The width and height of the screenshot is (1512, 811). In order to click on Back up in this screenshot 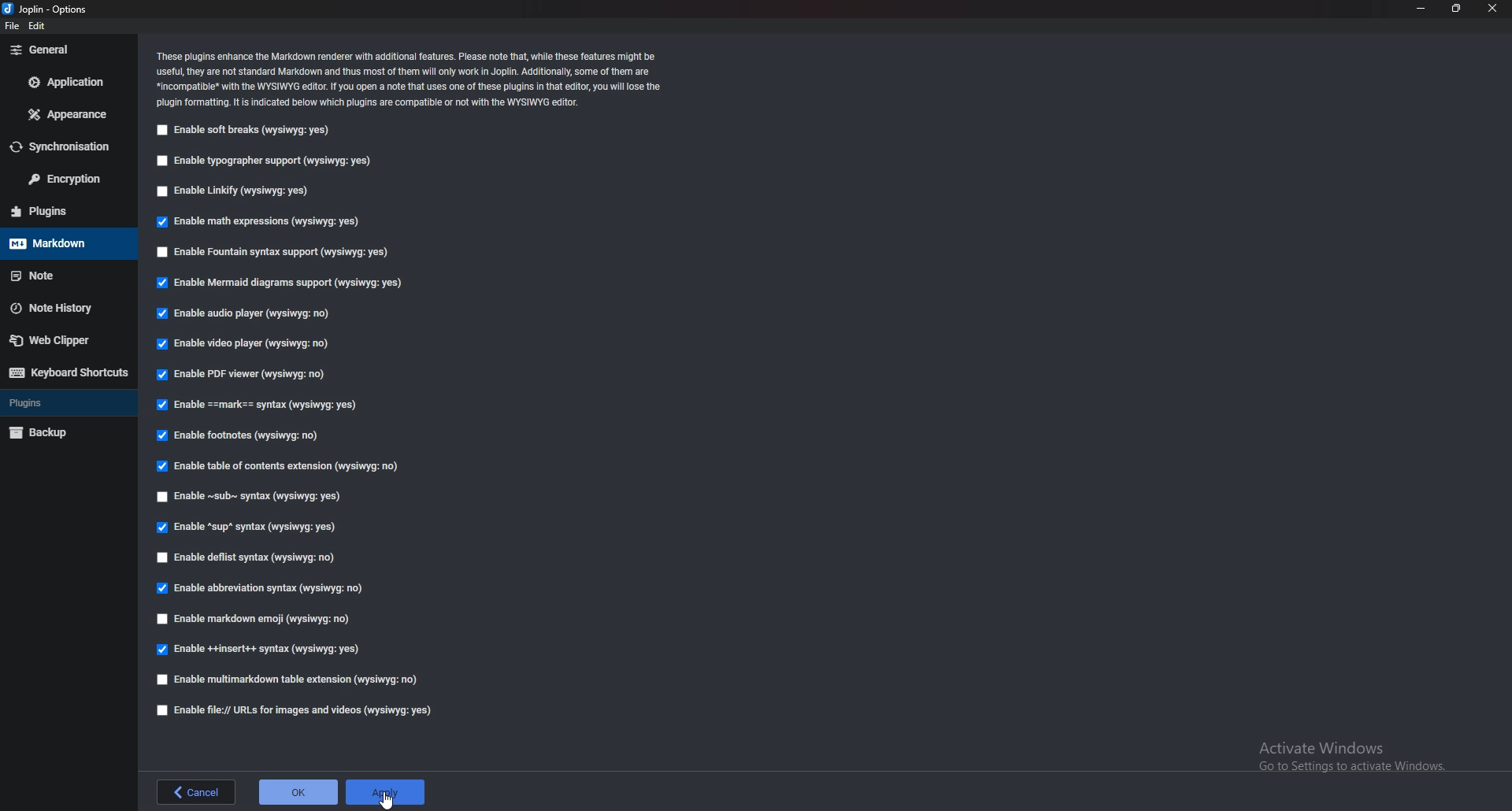, I will do `click(67, 432)`.